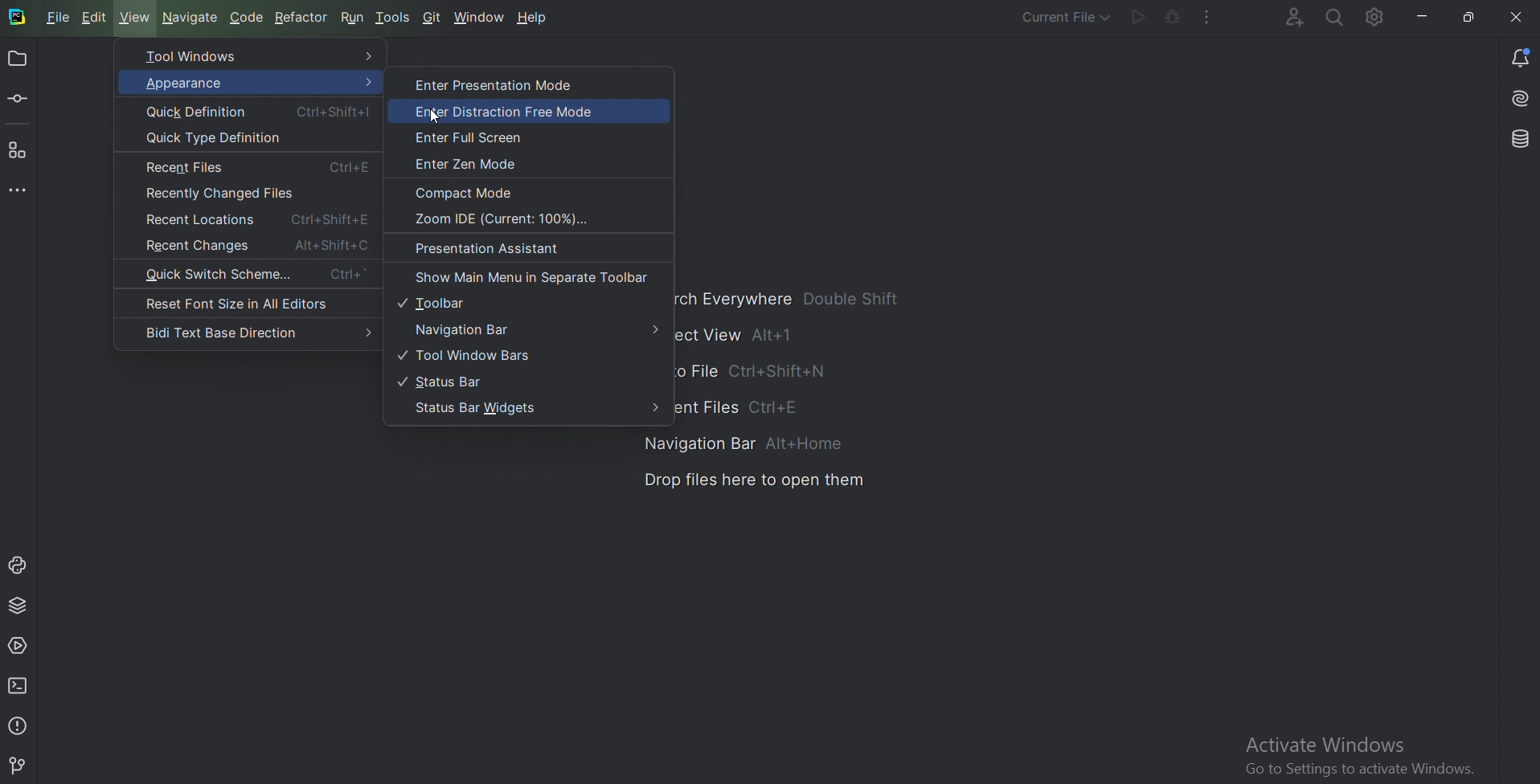  I want to click on Terminal, so click(21, 685).